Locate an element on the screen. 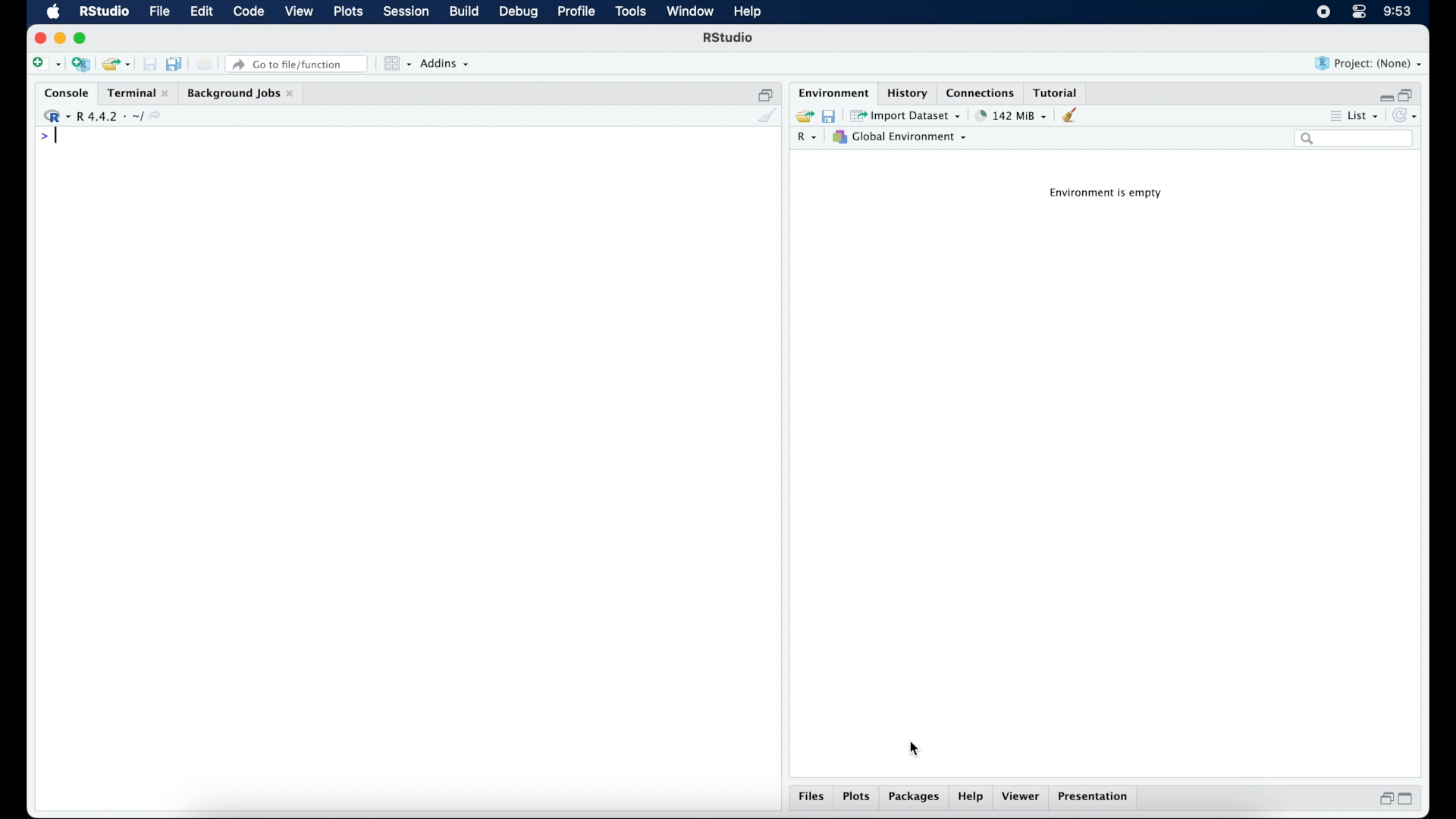 The image size is (1456, 819). viewer is located at coordinates (1022, 798).